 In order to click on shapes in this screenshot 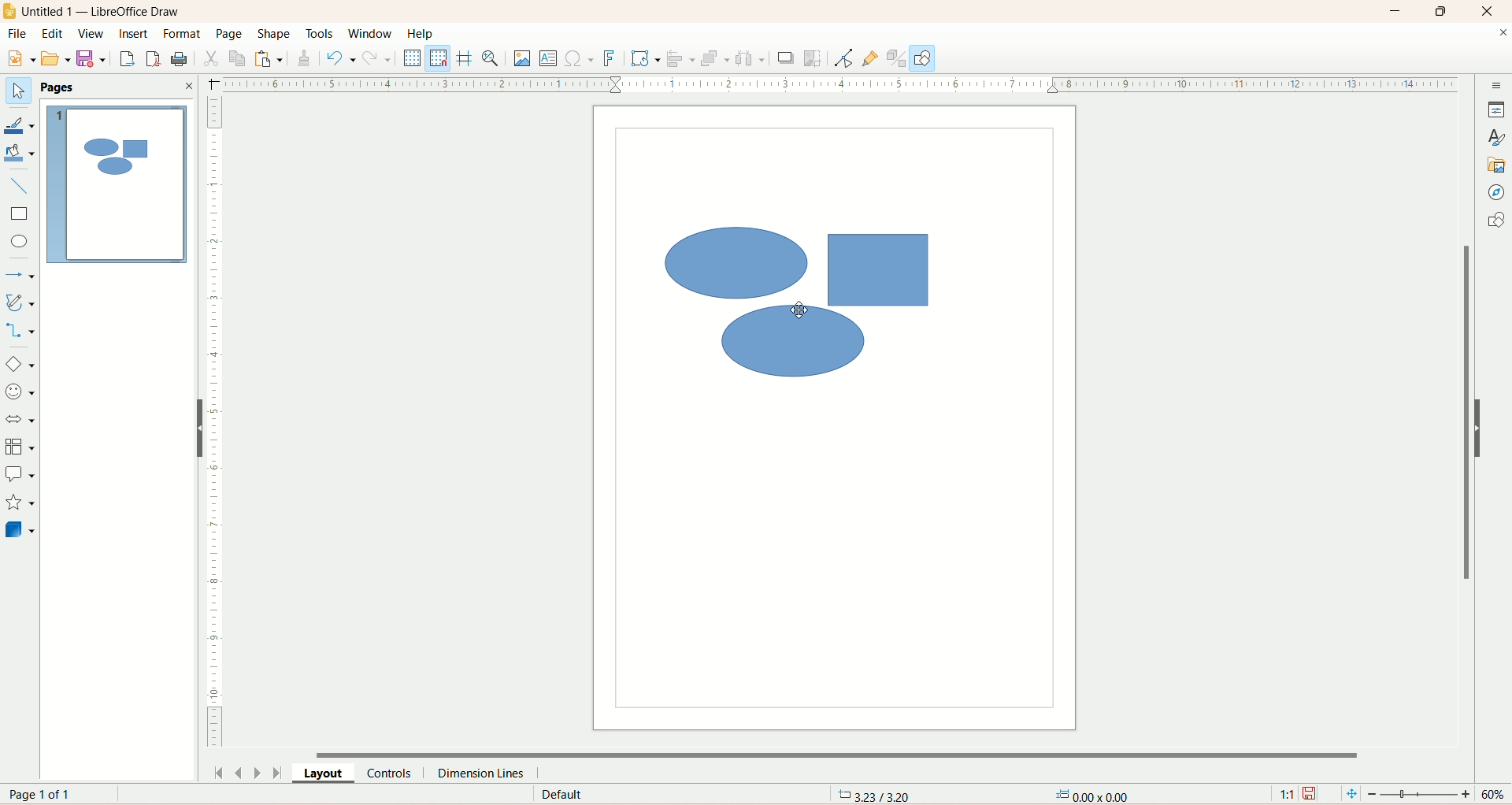, I will do `click(1495, 221)`.